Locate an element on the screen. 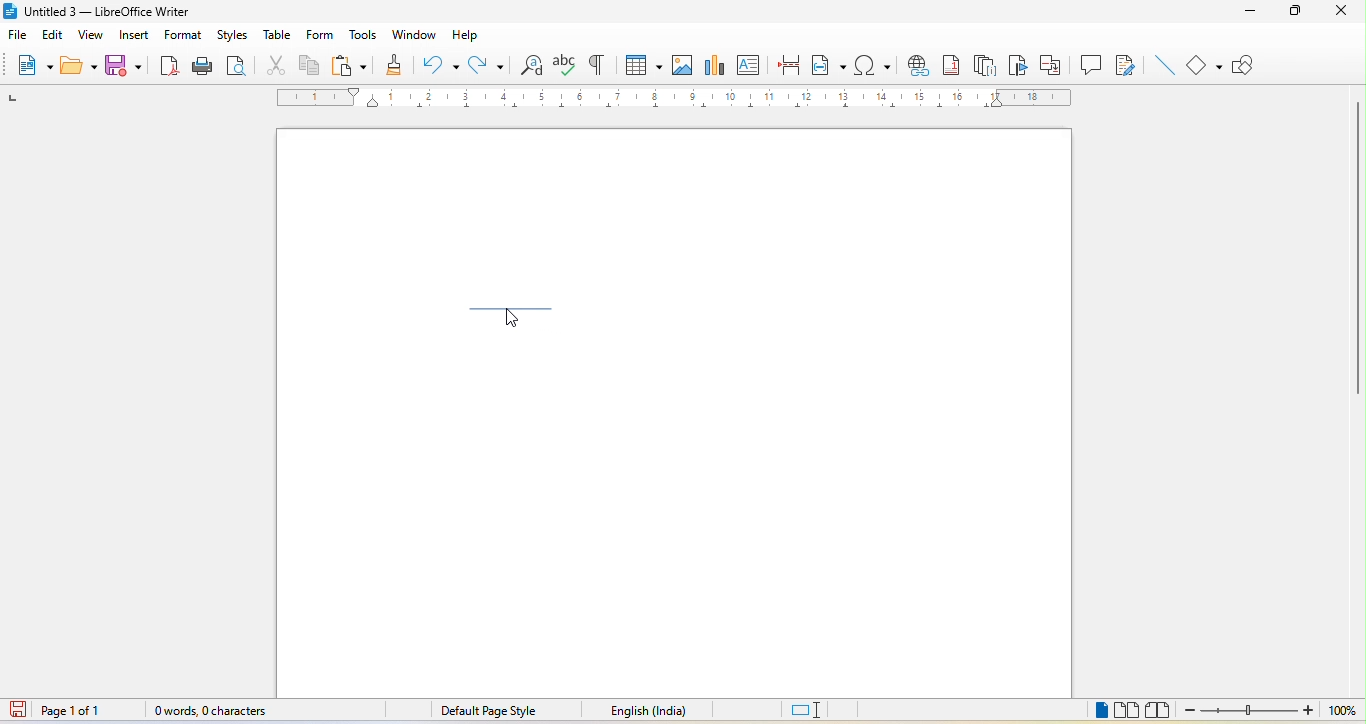  tools is located at coordinates (365, 35).